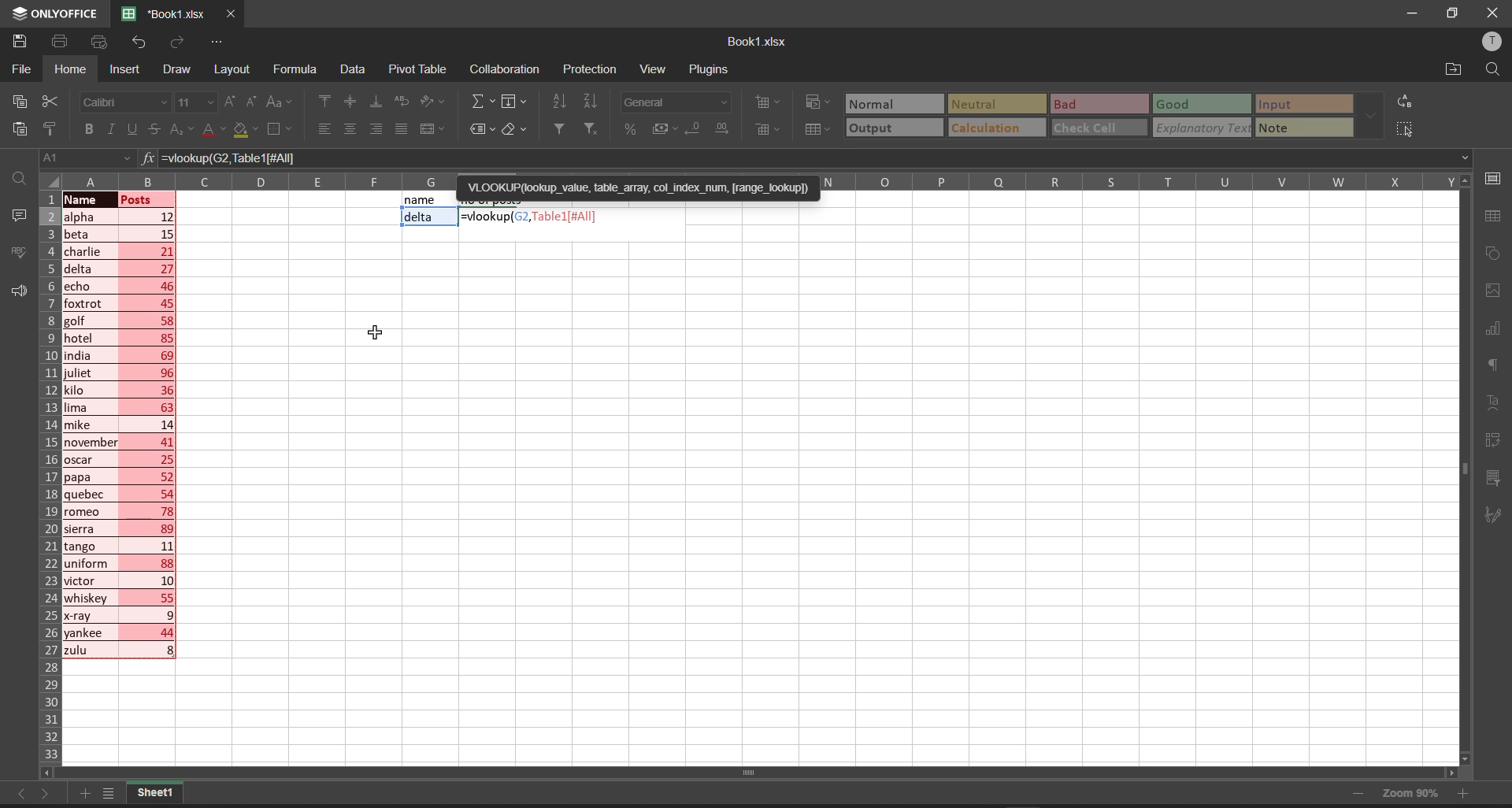  I want to click on number format, so click(676, 102).